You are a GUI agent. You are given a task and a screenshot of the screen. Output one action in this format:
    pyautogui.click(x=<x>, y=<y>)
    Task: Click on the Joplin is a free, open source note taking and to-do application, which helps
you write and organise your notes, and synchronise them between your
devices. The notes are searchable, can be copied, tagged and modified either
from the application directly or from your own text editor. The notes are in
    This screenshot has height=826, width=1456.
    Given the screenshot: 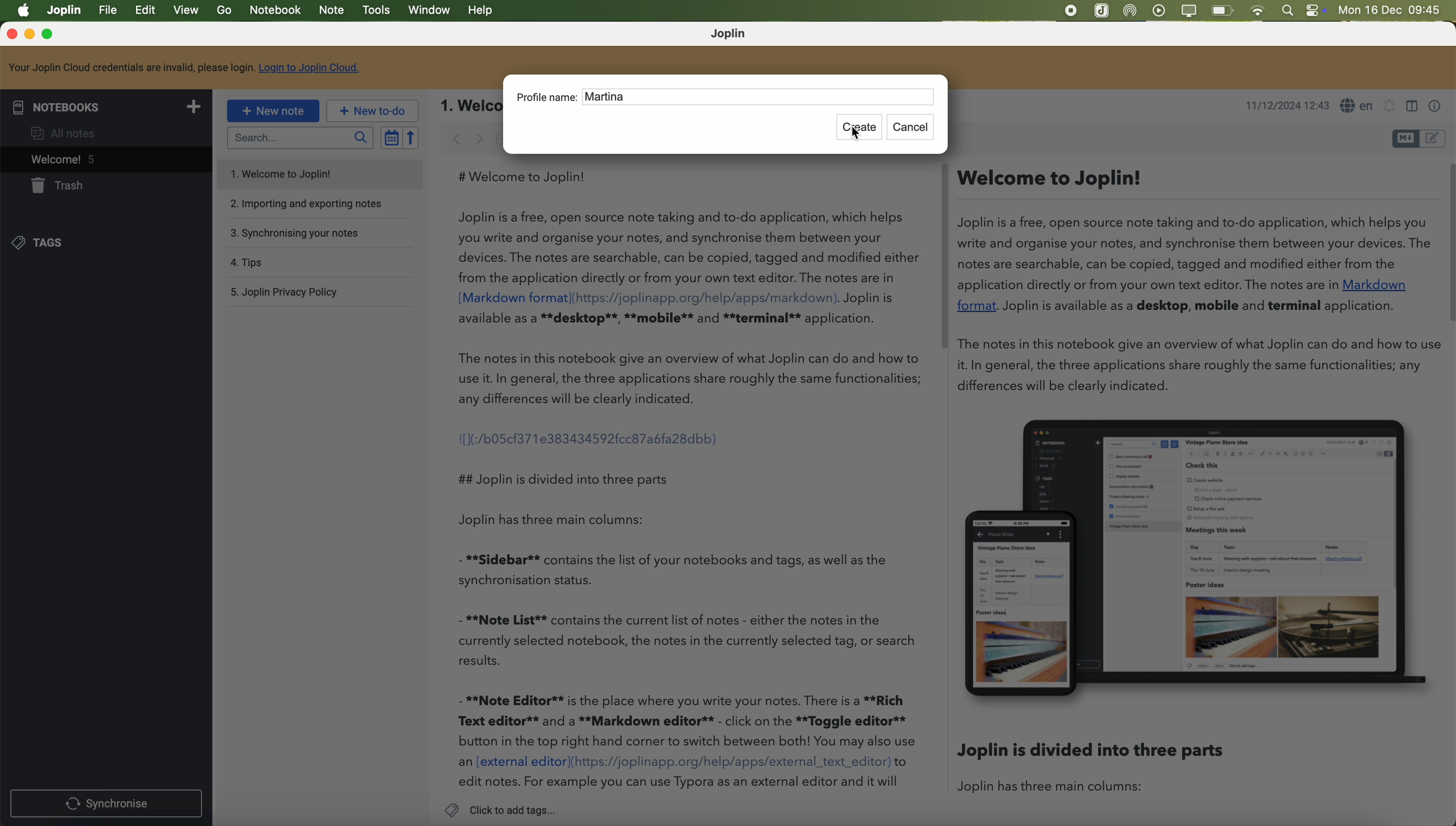 What is the action you would take?
    pyautogui.click(x=689, y=247)
    